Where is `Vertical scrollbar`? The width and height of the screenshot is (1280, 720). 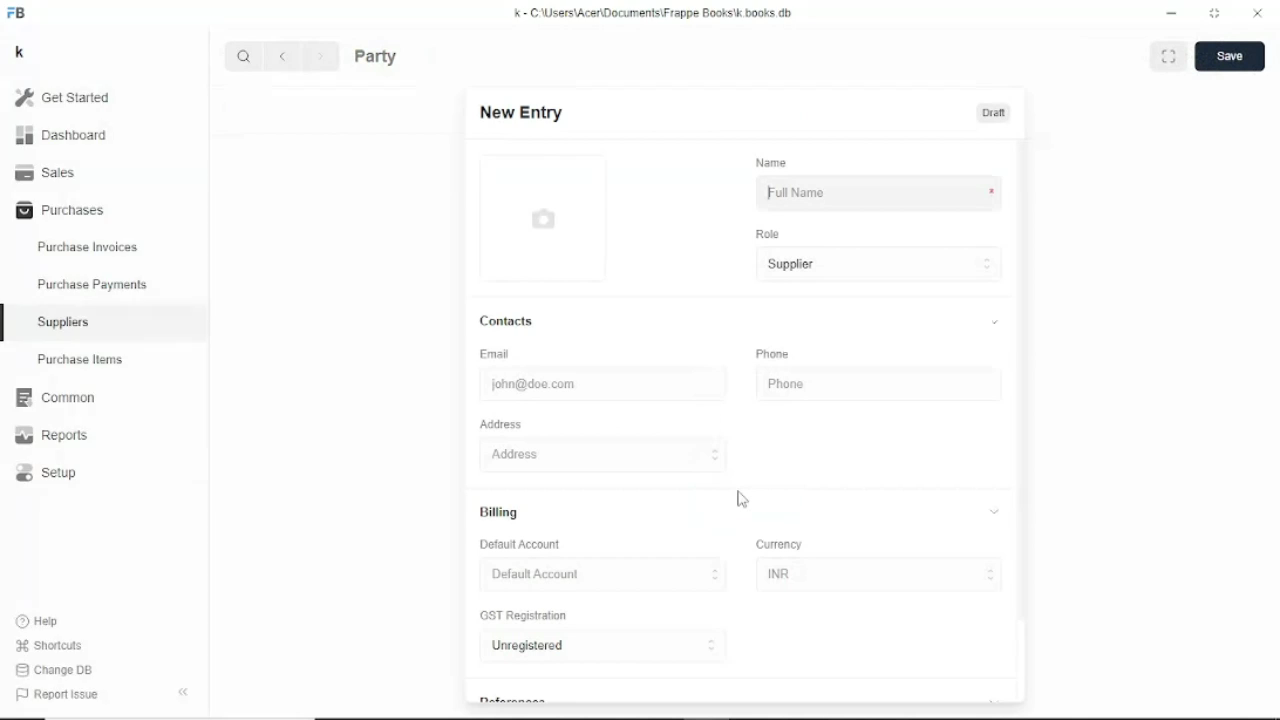
Vertical scrollbar is located at coordinates (1024, 376).